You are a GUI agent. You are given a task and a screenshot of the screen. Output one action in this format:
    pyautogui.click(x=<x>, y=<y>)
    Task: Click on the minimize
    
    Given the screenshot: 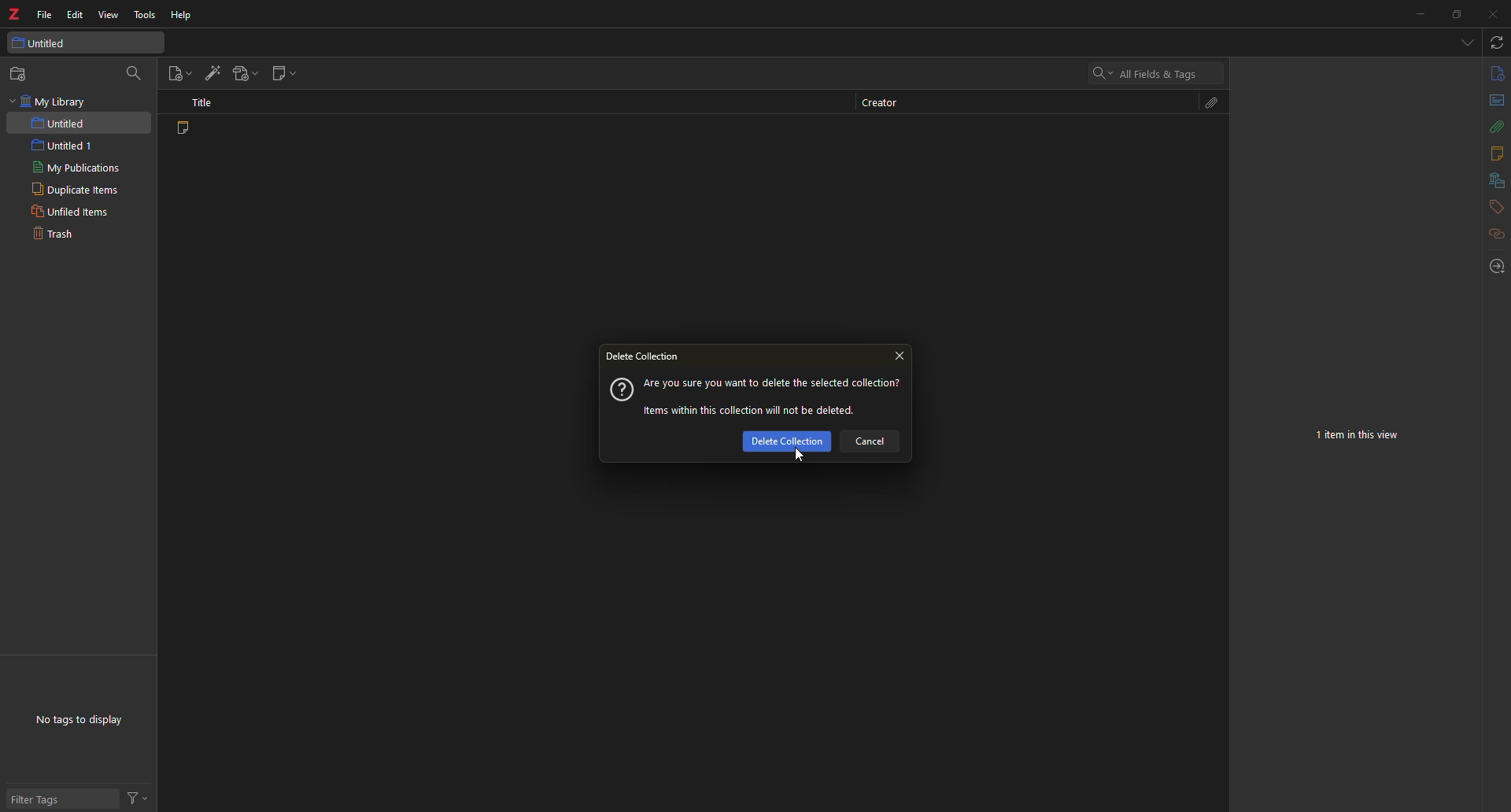 What is the action you would take?
    pyautogui.click(x=1415, y=16)
    